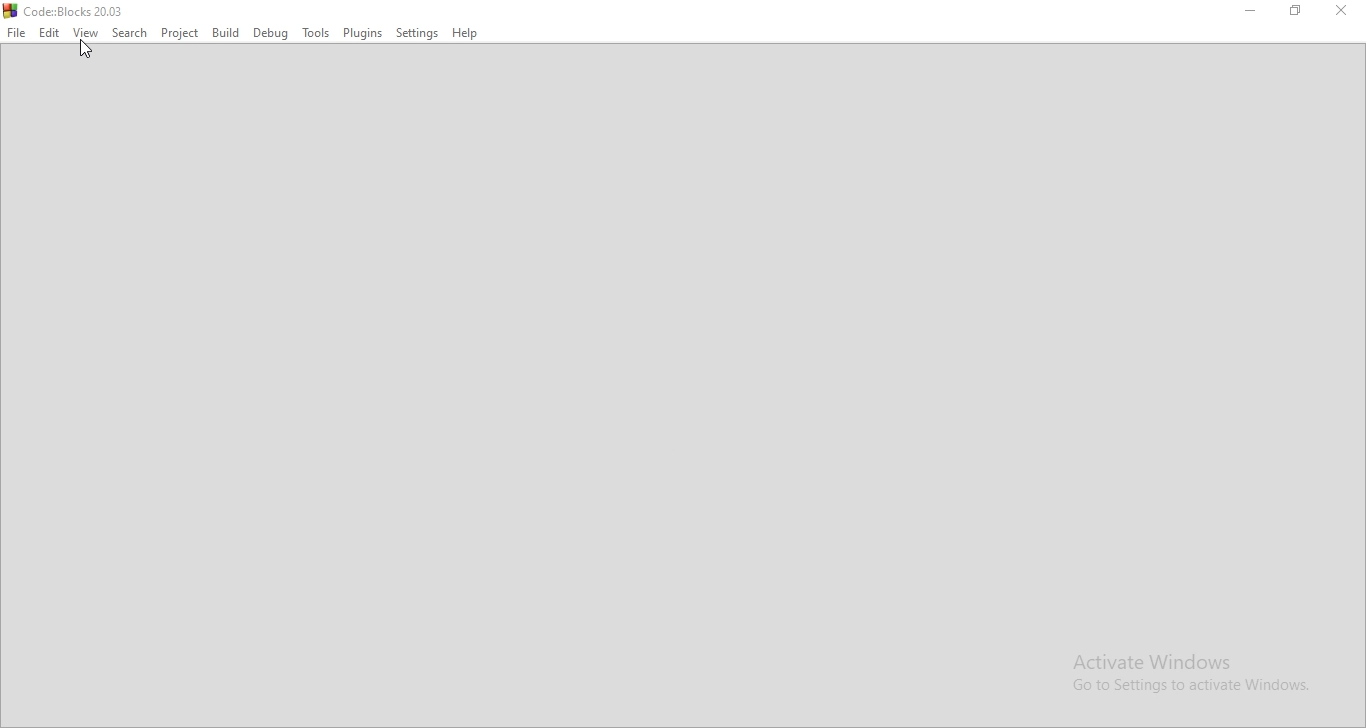  What do you see at coordinates (1346, 14) in the screenshot?
I see `Close` at bounding box center [1346, 14].